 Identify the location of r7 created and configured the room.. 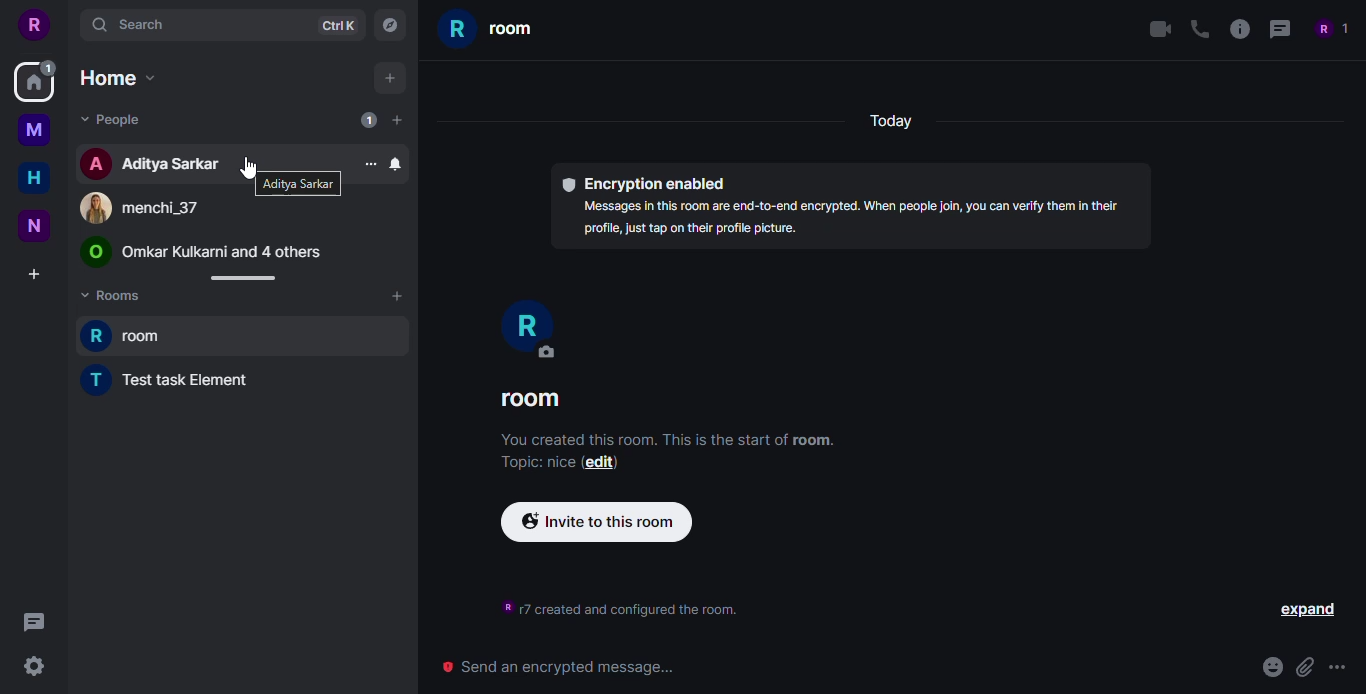
(625, 608).